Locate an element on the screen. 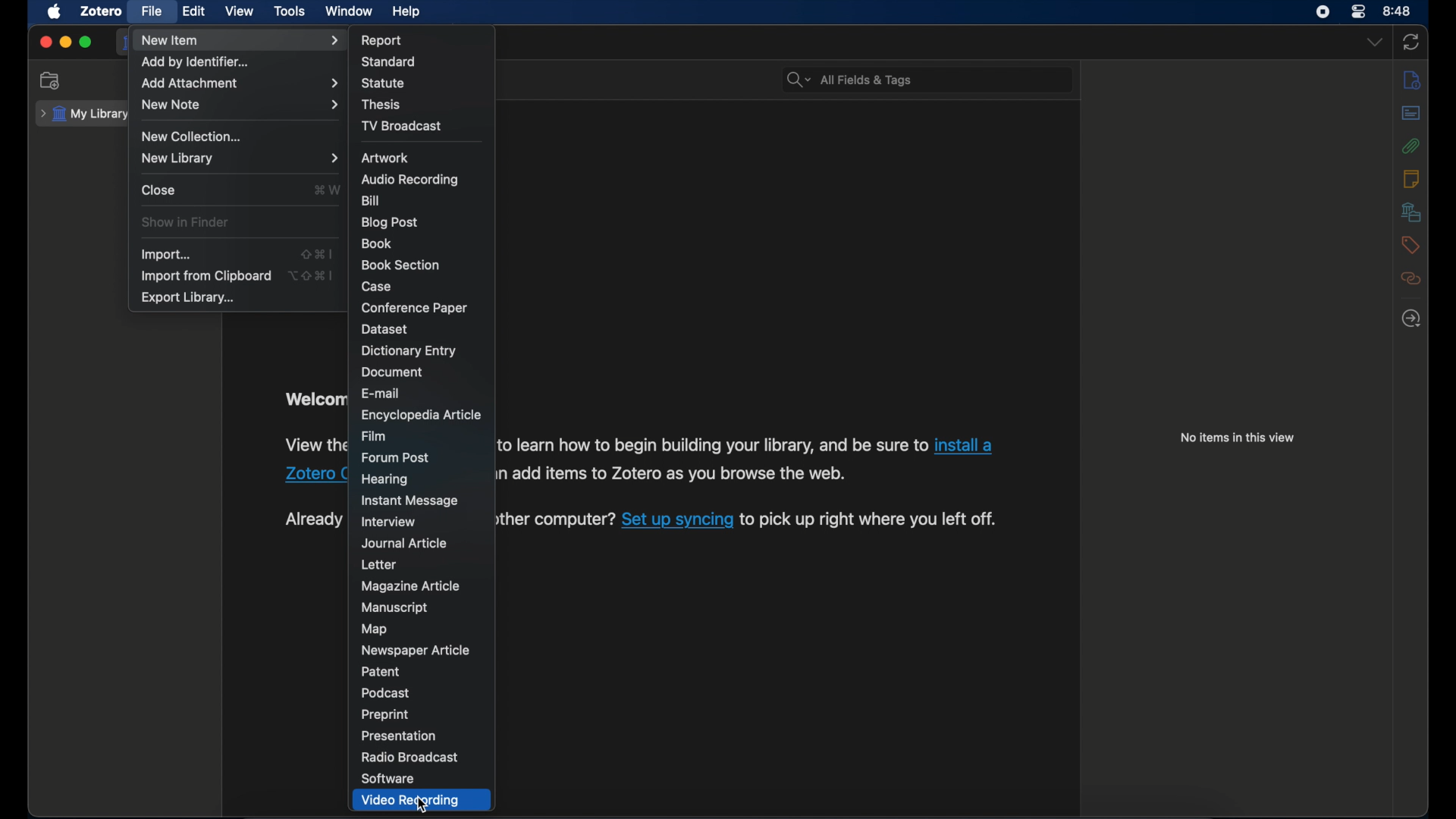  software information is located at coordinates (557, 520).